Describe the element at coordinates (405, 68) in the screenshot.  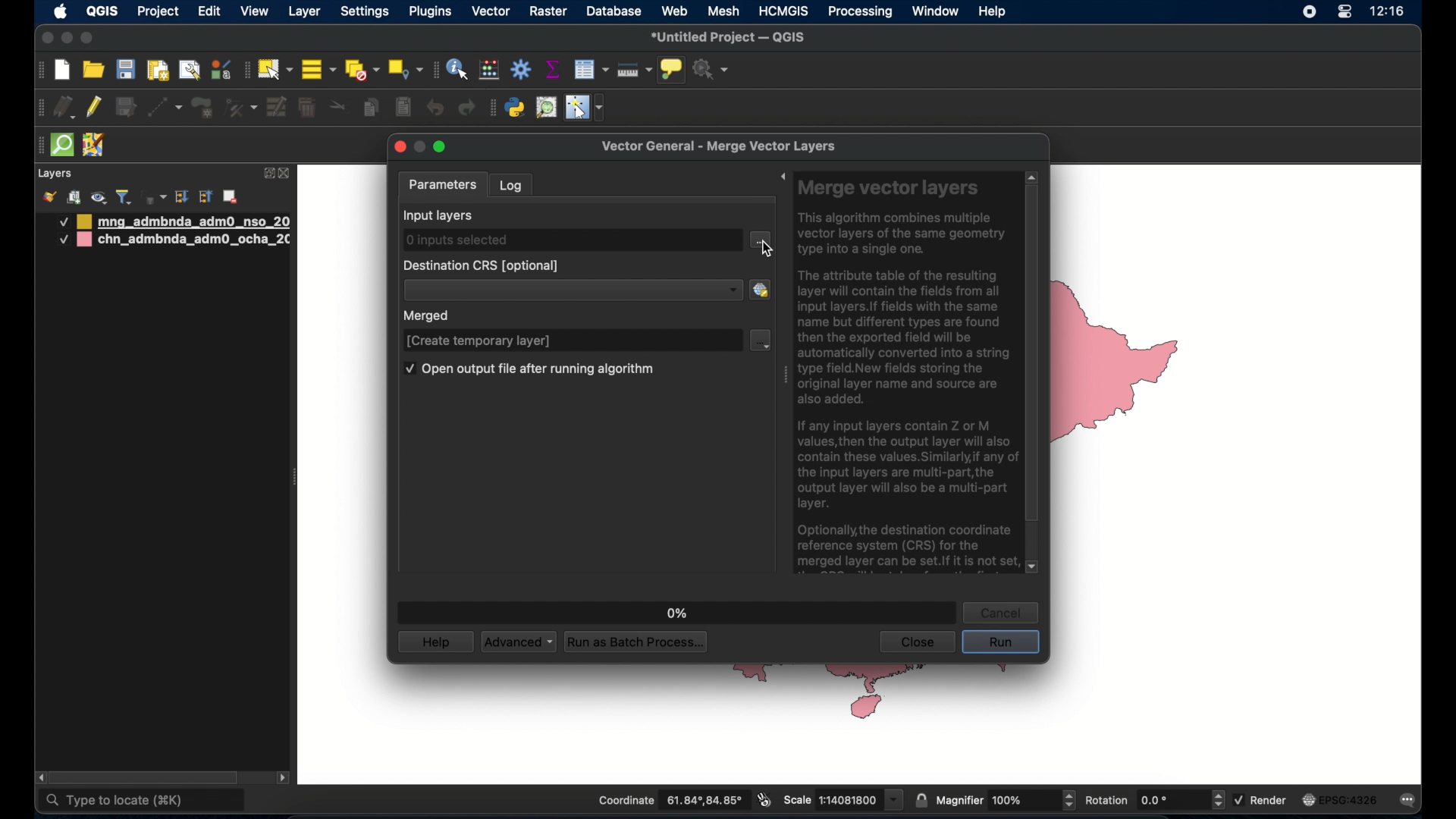
I see `select by location ` at that location.